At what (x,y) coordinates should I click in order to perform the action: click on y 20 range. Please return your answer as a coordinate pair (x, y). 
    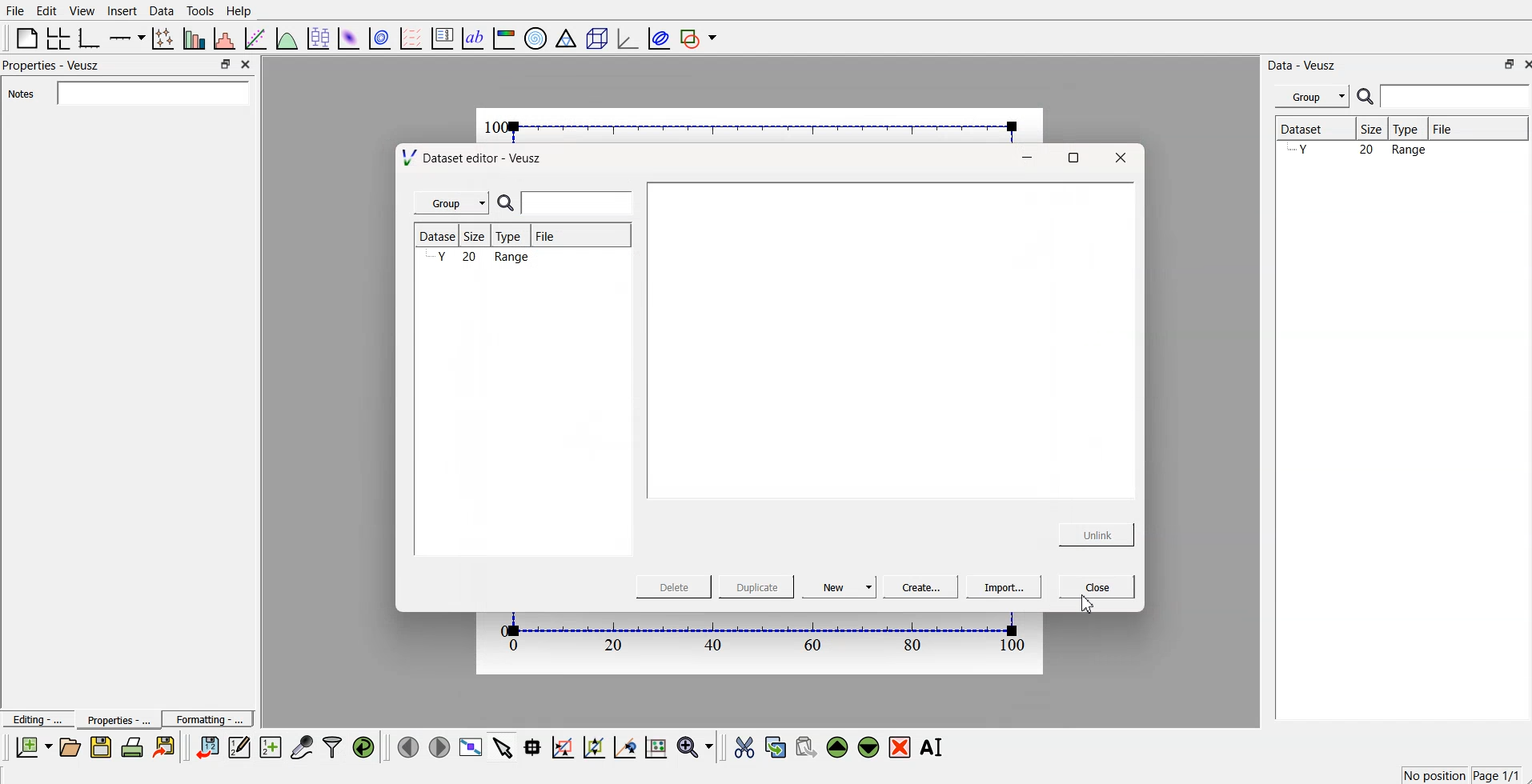
    Looking at the image, I should click on (1365, 152).